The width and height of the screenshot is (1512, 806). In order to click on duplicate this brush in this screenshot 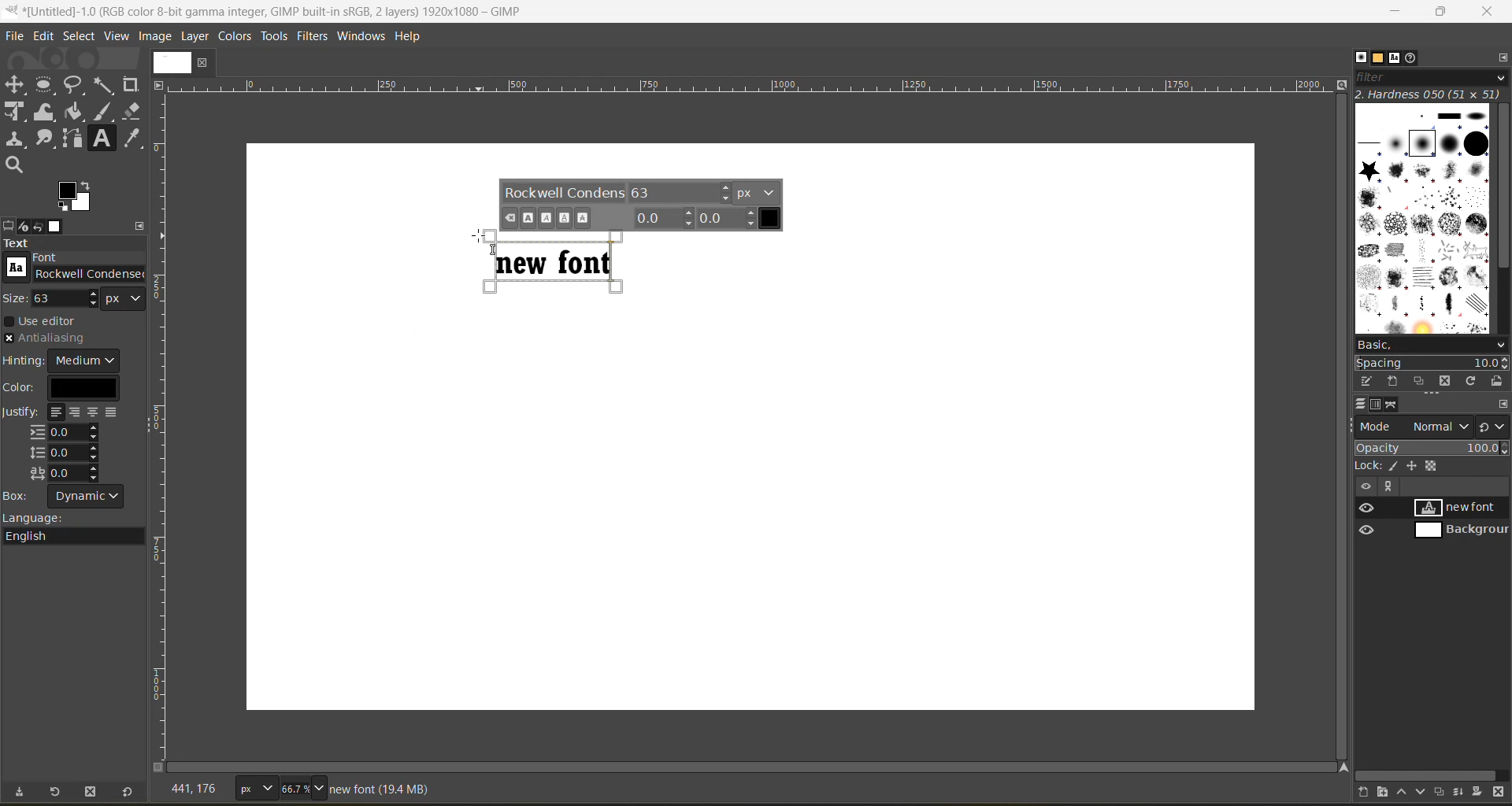, I will do `click(1420, 380)`.